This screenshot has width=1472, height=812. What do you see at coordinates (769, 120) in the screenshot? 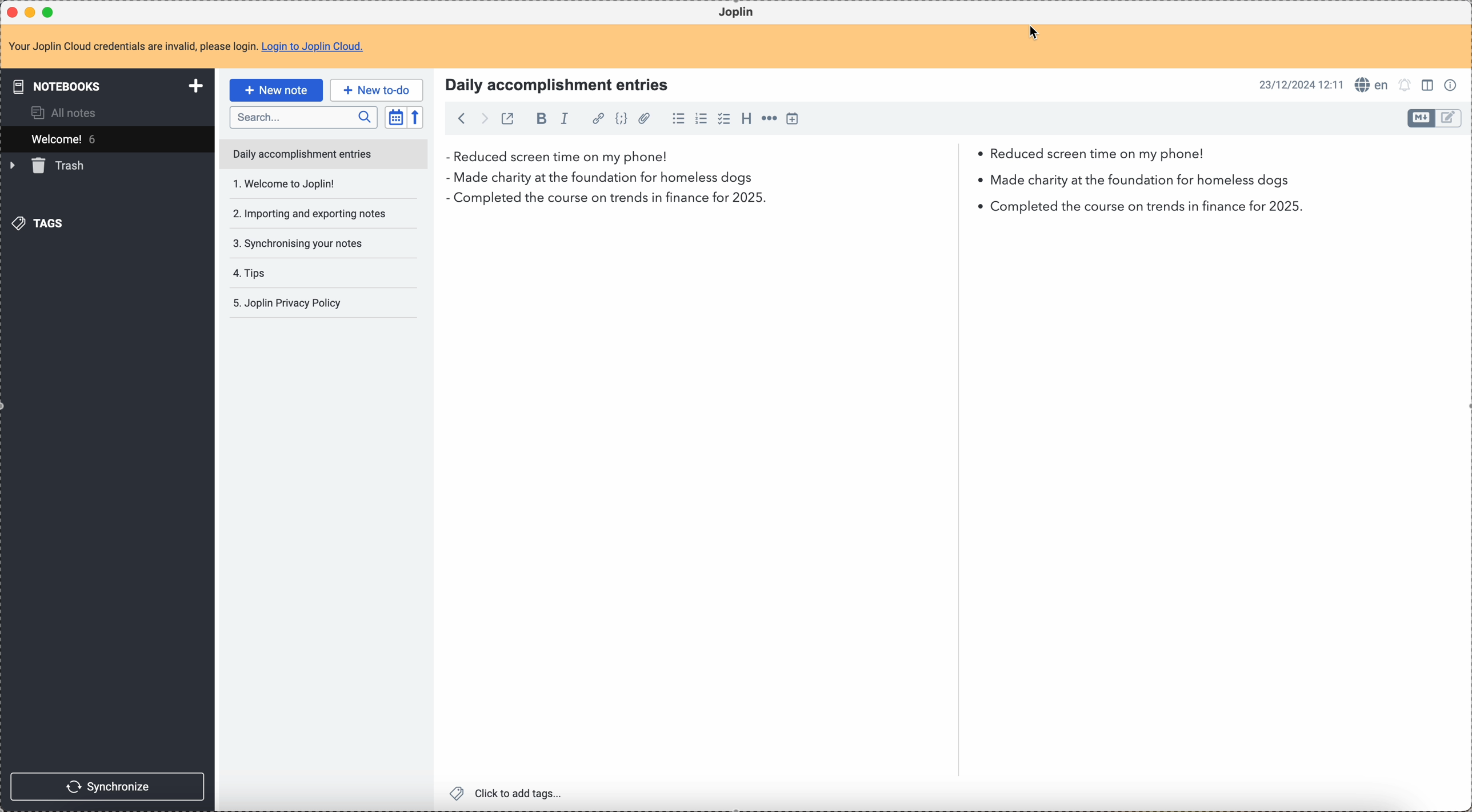
I see `horizontal rule` at bounding box center [769, 120].